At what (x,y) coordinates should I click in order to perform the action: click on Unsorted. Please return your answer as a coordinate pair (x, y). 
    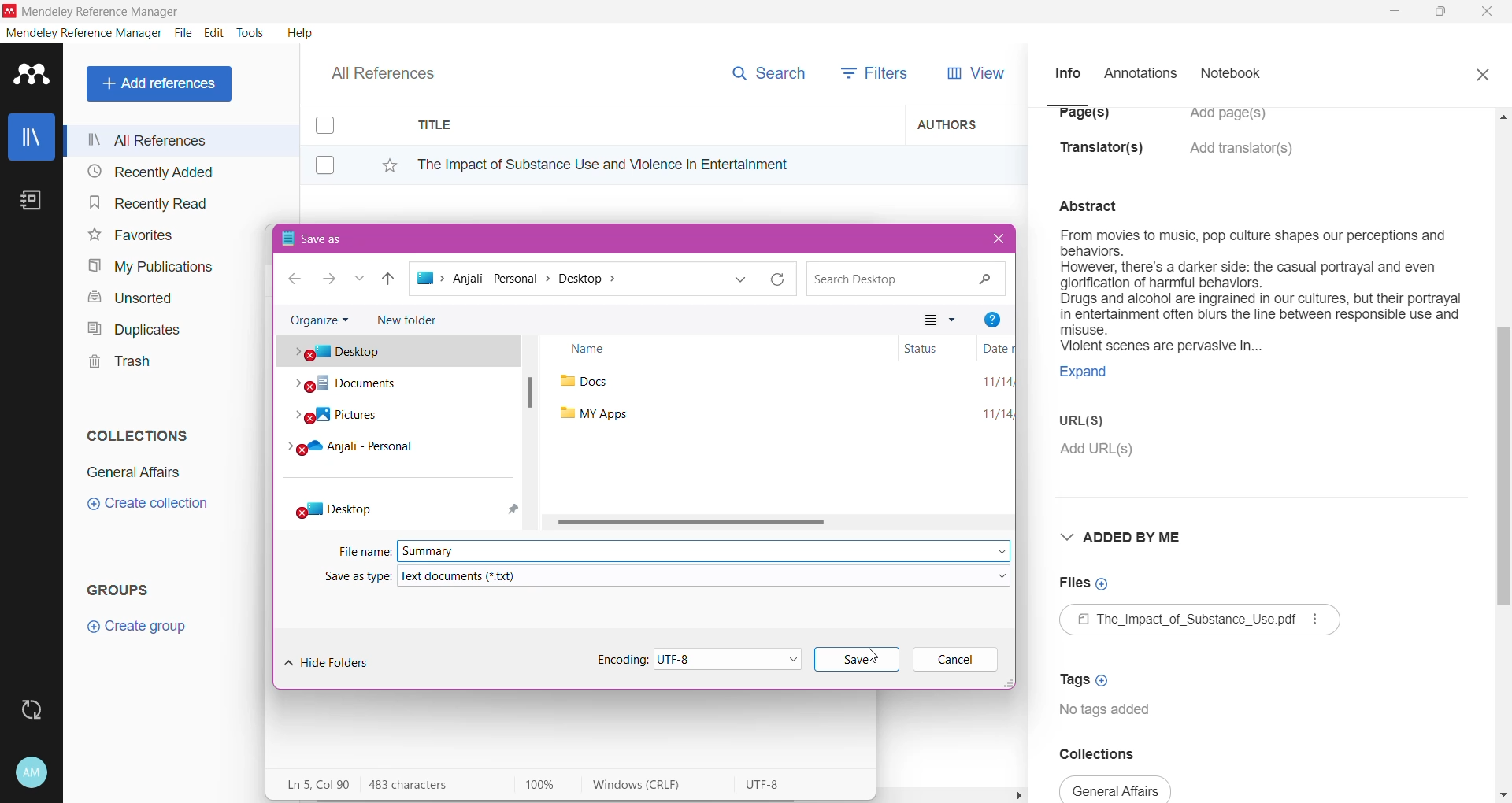
    Looking at the image, I should click on (128, 297).